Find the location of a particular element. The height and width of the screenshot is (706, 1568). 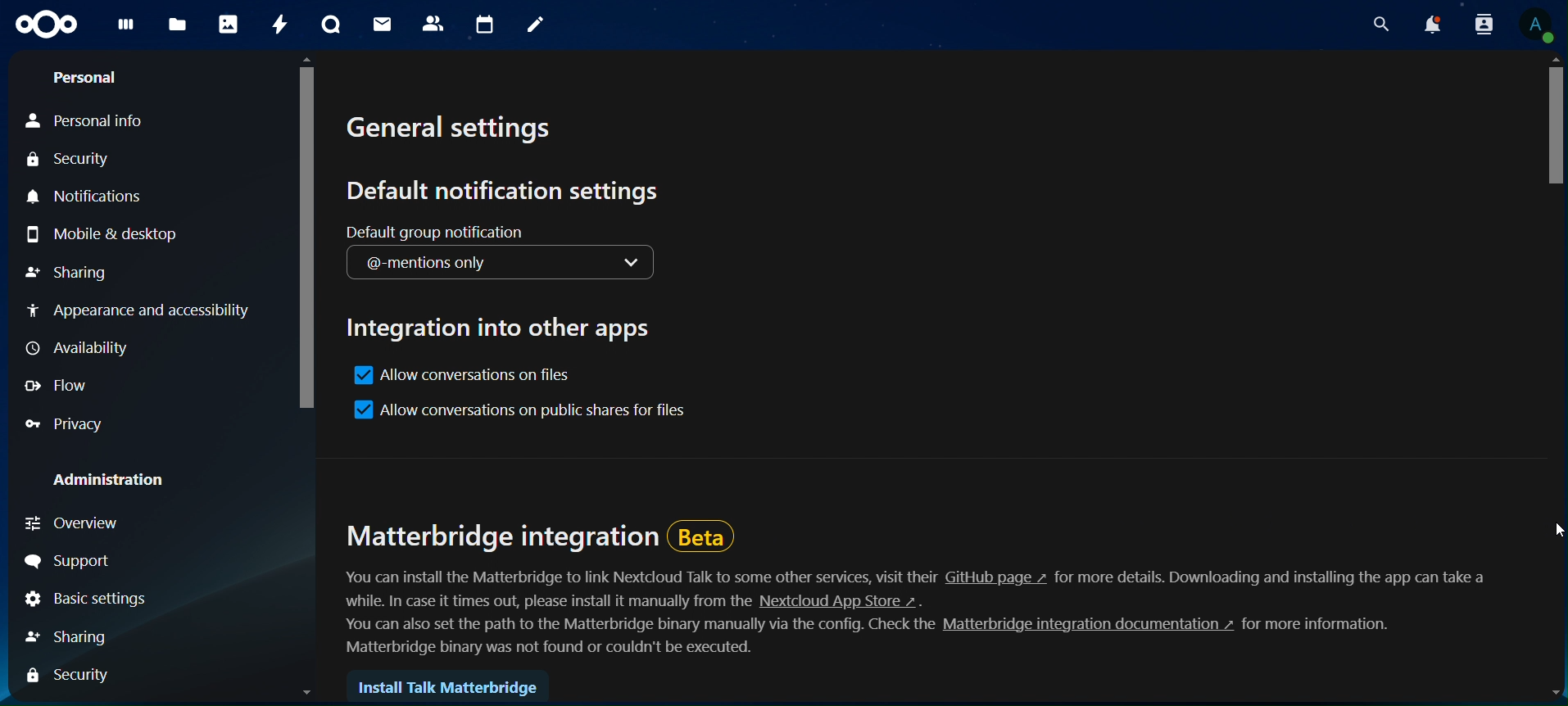

Scrollbar is located at coordinates (307, 378).